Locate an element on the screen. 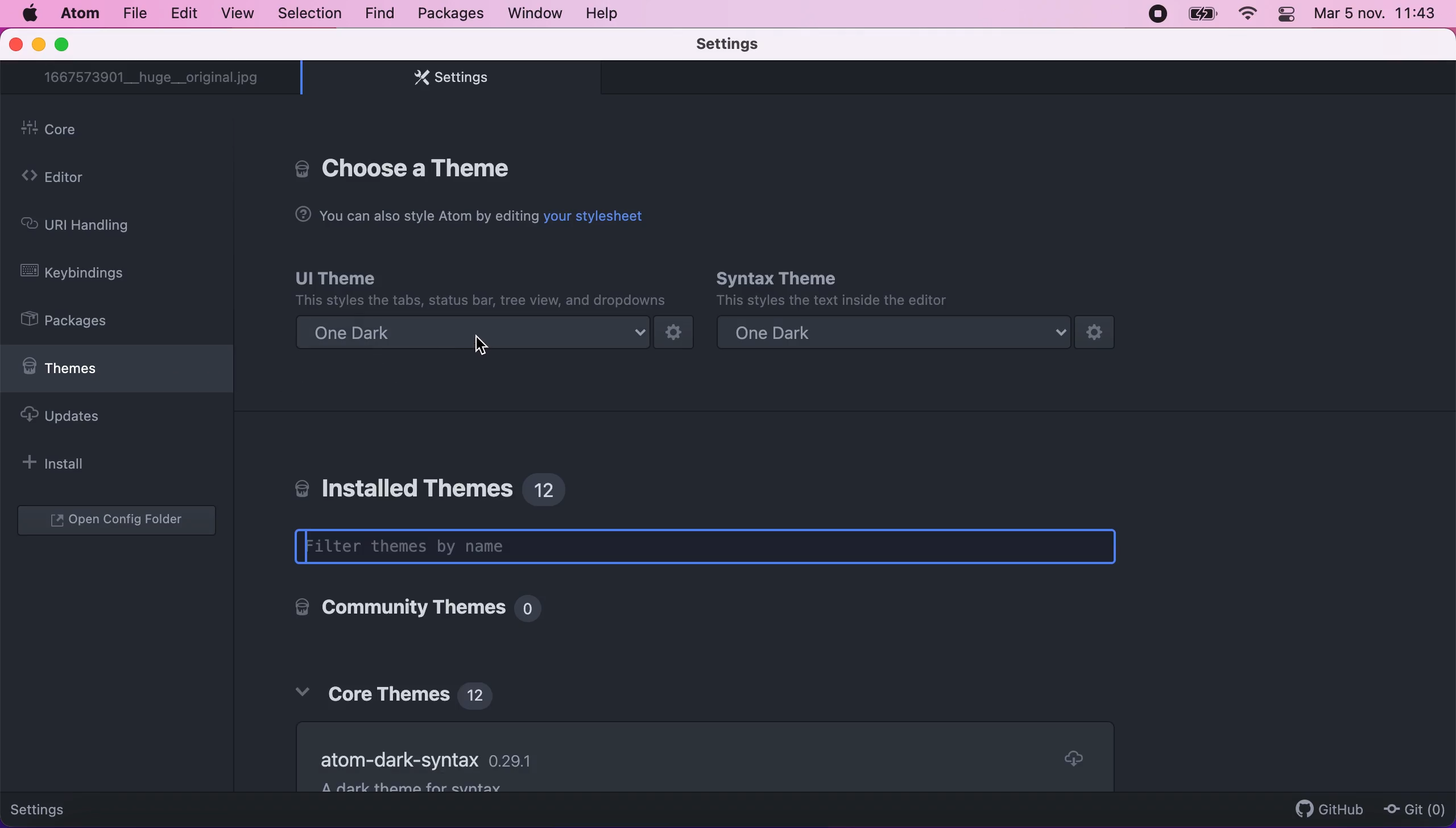  panel control is located at coordinates (1286, 15).